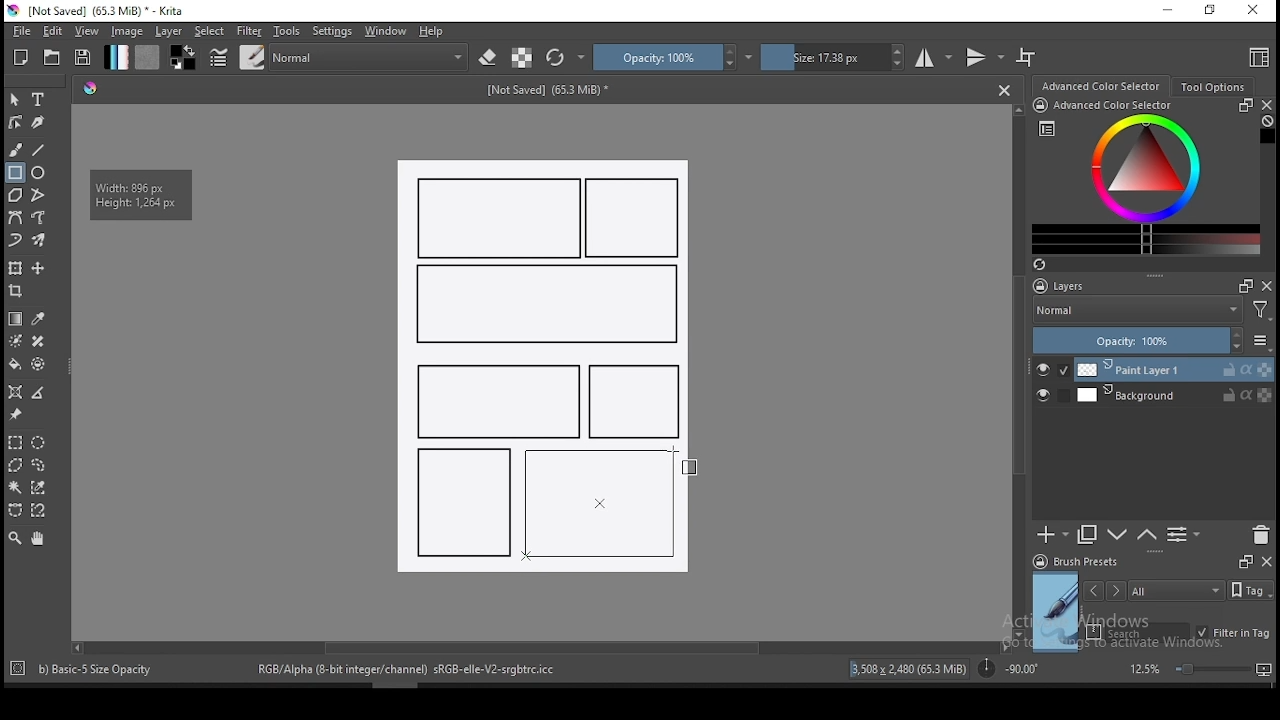  I want to click on Hue, so click(90, 88).